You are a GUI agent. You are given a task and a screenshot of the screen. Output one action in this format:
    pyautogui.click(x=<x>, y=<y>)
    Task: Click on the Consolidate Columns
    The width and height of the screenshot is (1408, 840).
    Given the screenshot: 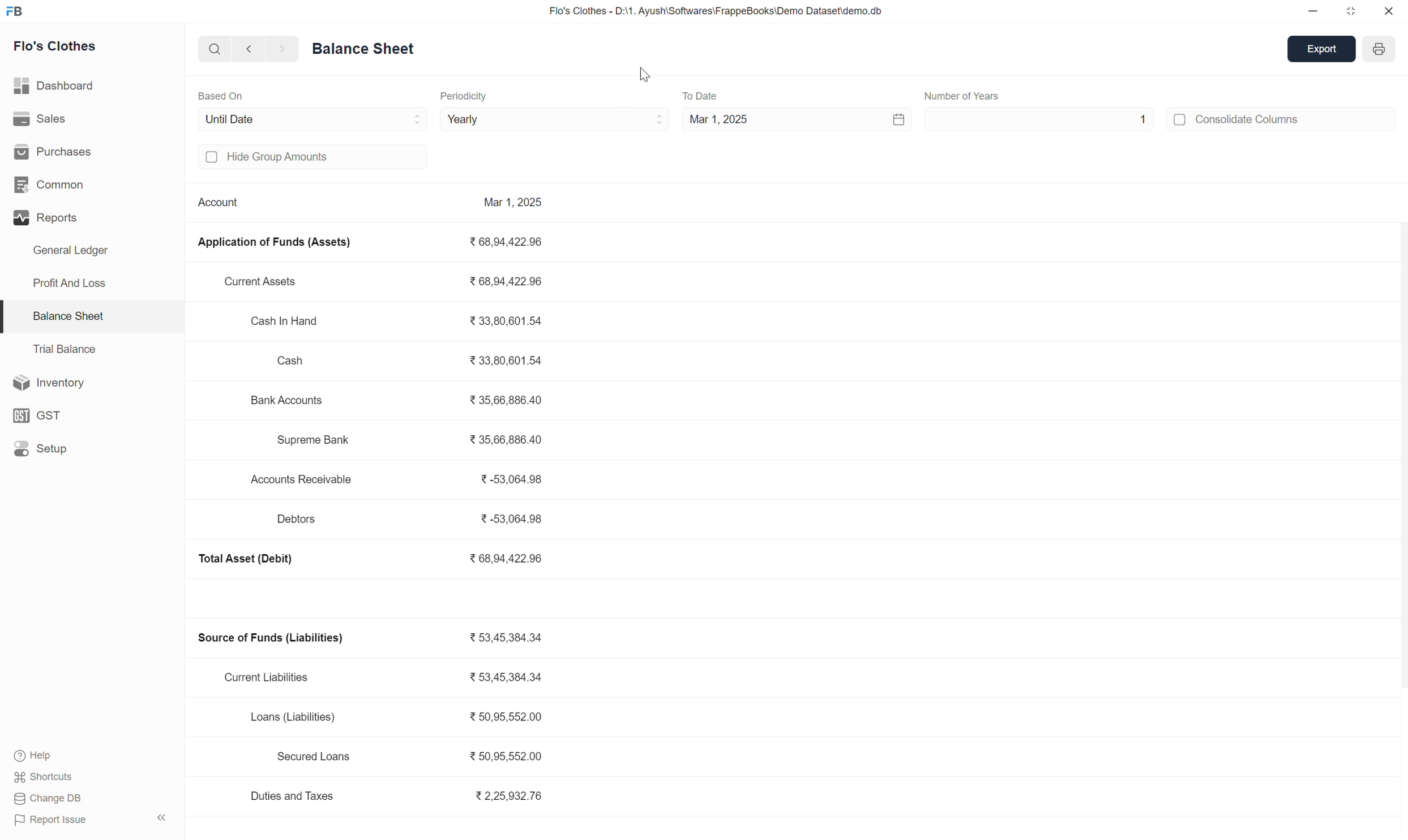 What is the action you would take?
    pyautogui.click(x=1253, y=119)
    